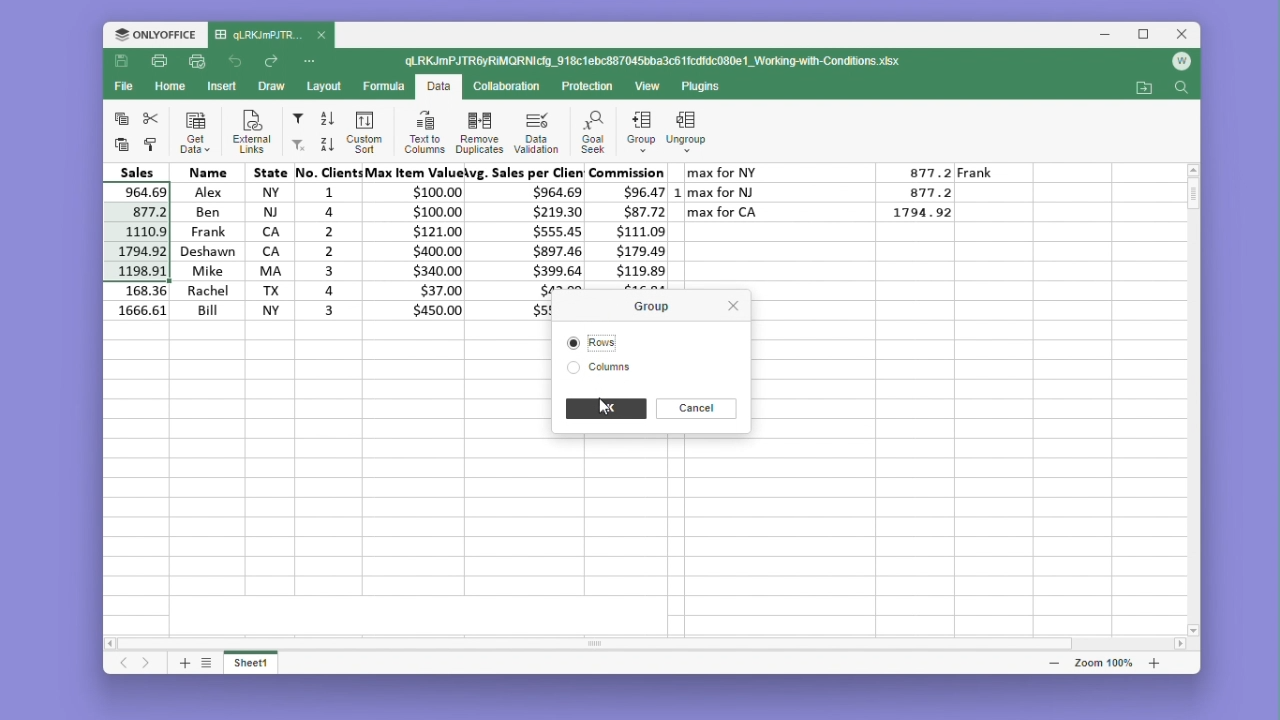 The width and height of the screenshot is (1280, 720). Describe the element at coordinates (591, 132) in the screenshot. I see `Goal seek` at that location.